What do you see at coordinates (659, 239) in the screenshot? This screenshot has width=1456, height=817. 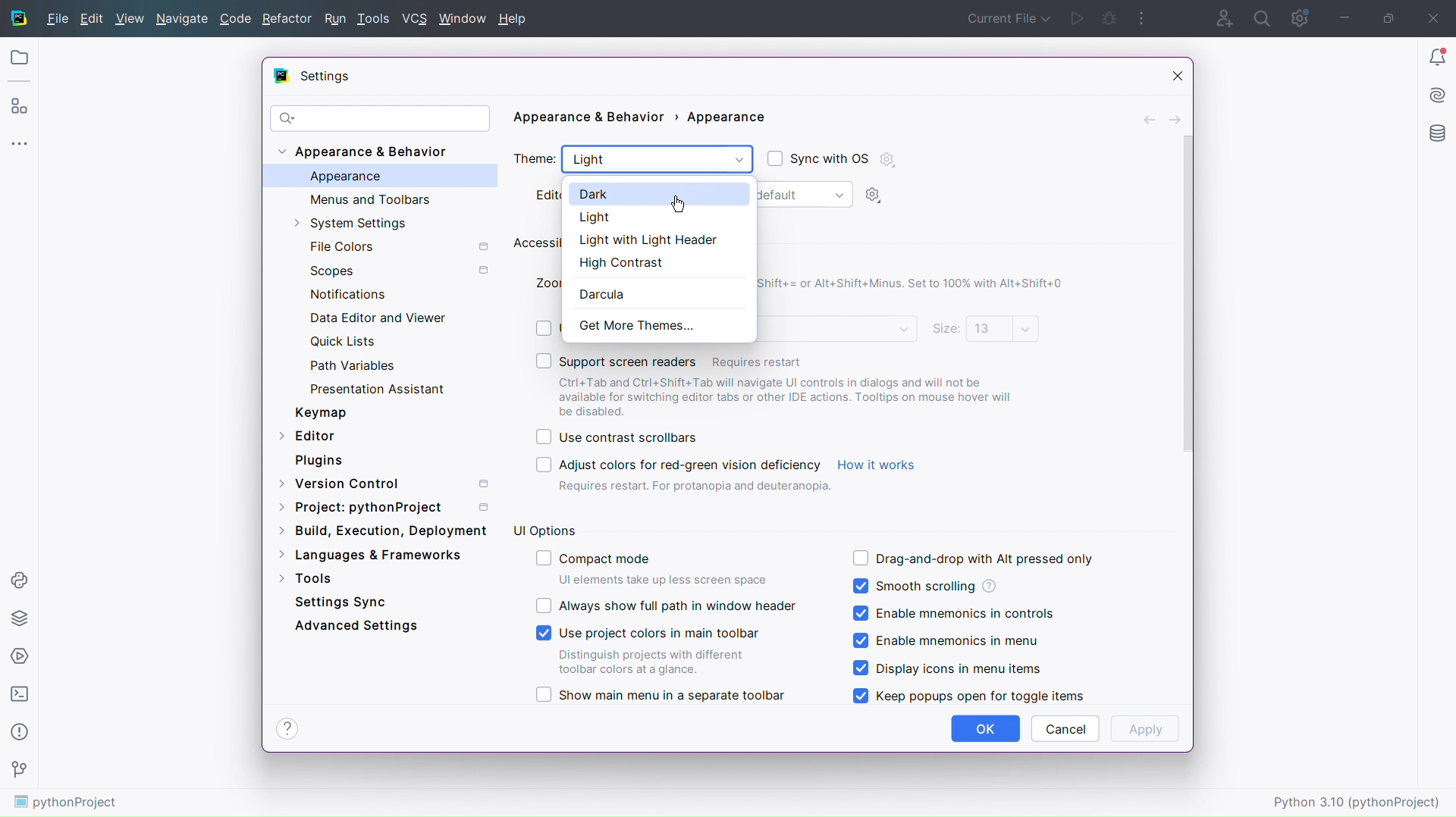 I see `Light with Light Header` at bounding box center [659, 239].